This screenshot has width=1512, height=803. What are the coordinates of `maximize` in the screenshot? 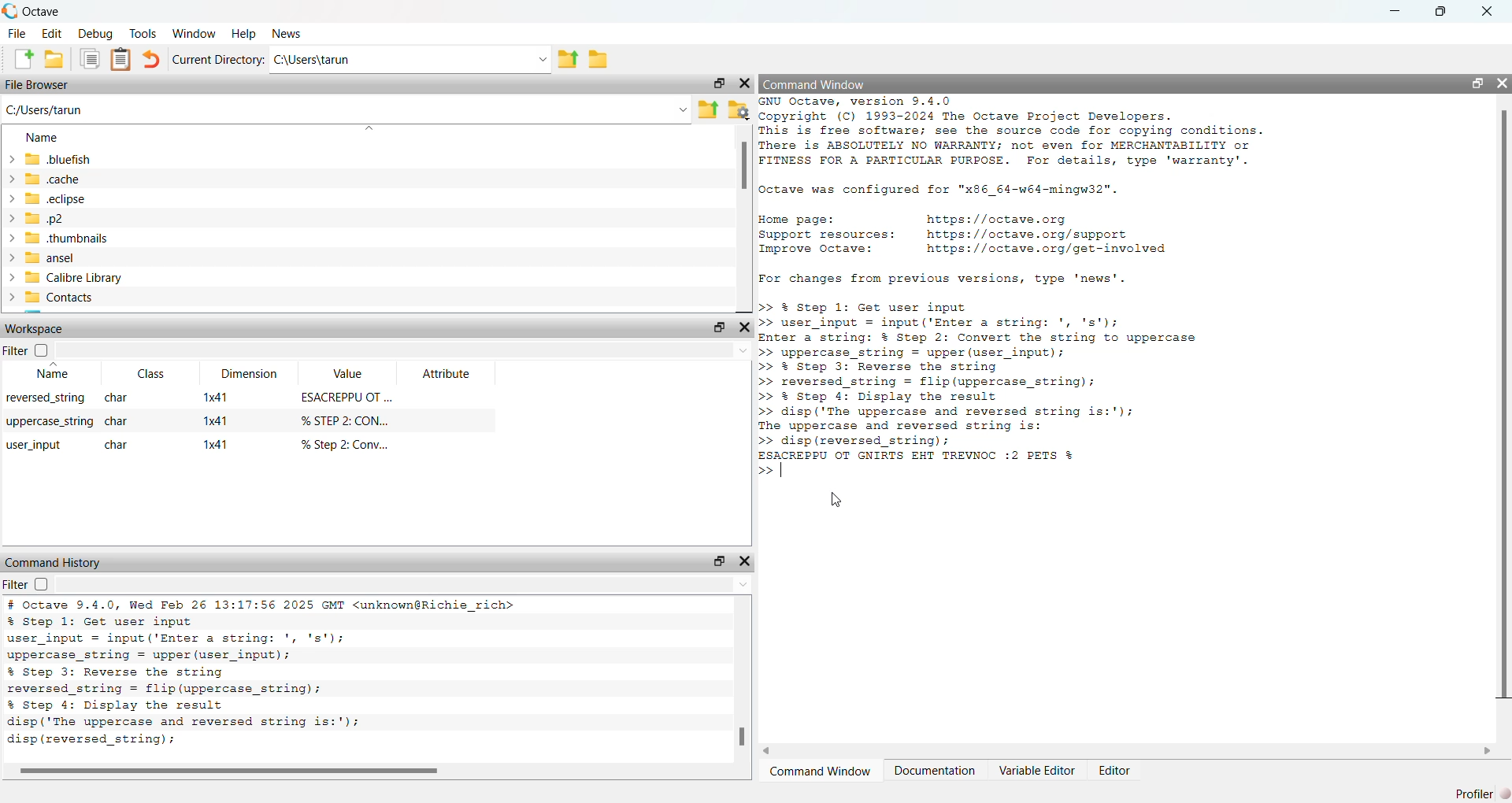 It's located at (1446, 11).